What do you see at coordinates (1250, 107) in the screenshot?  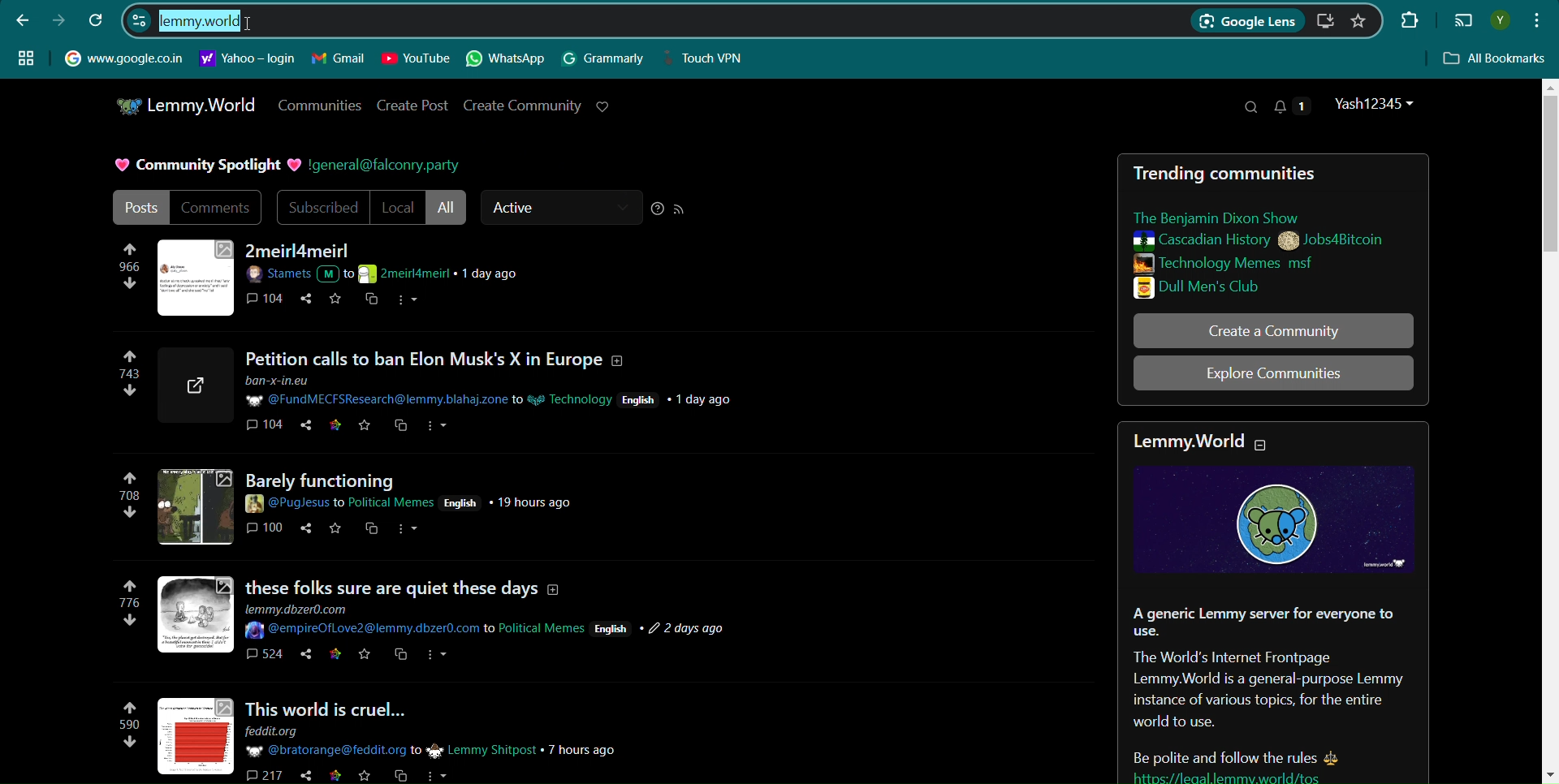 I see `Search` at bounding box center [1250, 107].